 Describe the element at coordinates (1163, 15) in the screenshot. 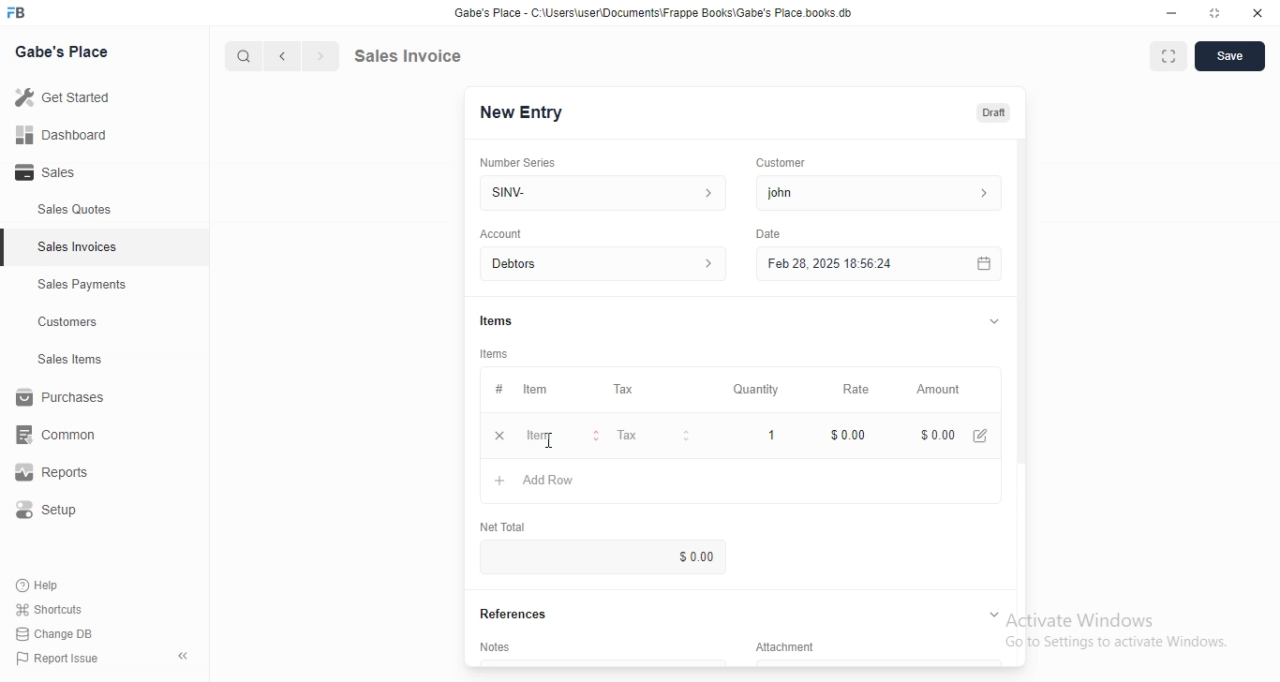

I see `minimize` at that location.